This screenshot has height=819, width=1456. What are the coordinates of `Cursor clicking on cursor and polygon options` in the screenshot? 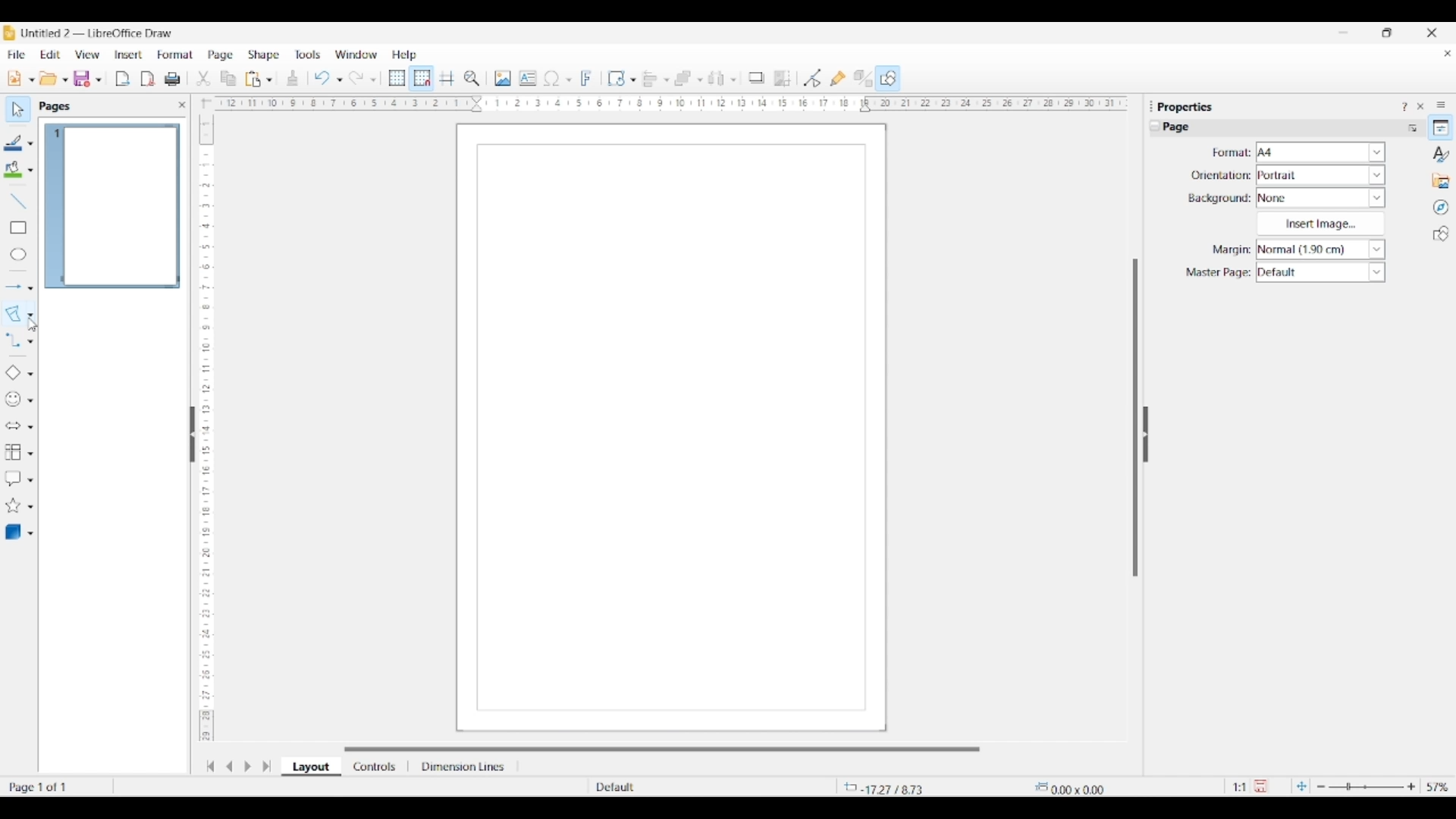 It's located at (34, 325).